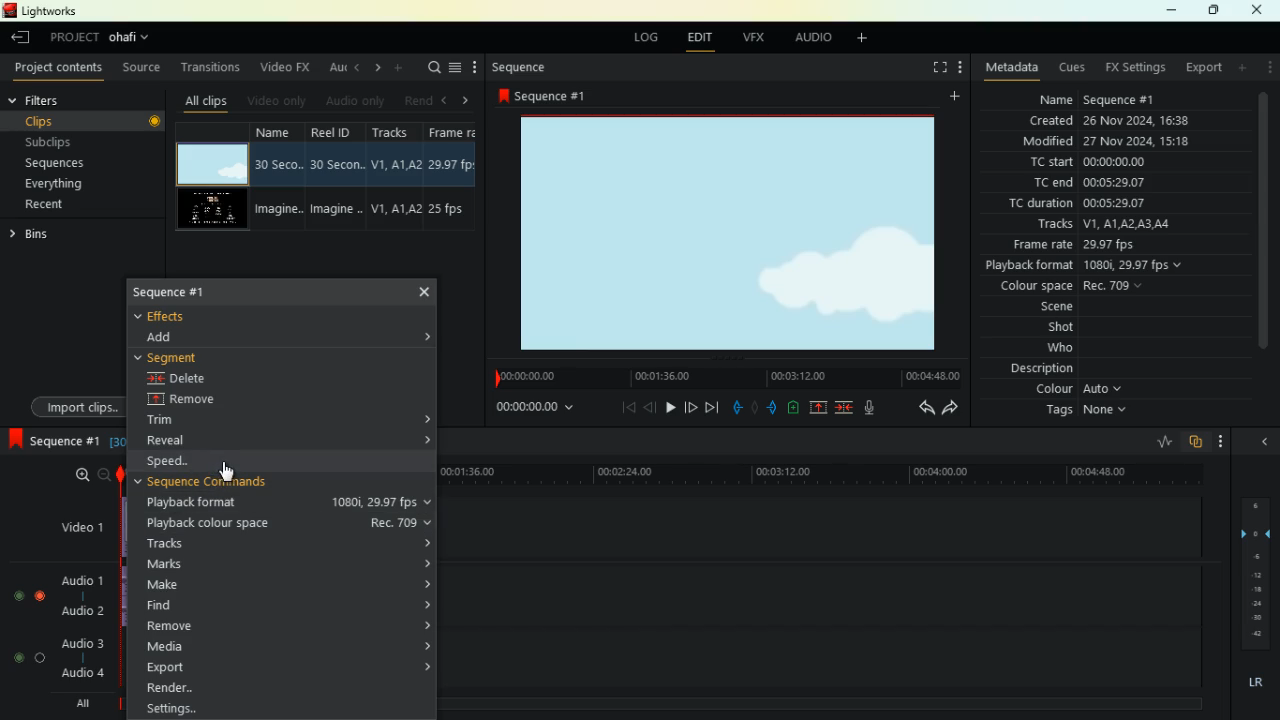 The image size is (1280, 720). What do you see at coordinates (815, 40) in the screenshot?
I see `audio` at bounding box center [815, 40].